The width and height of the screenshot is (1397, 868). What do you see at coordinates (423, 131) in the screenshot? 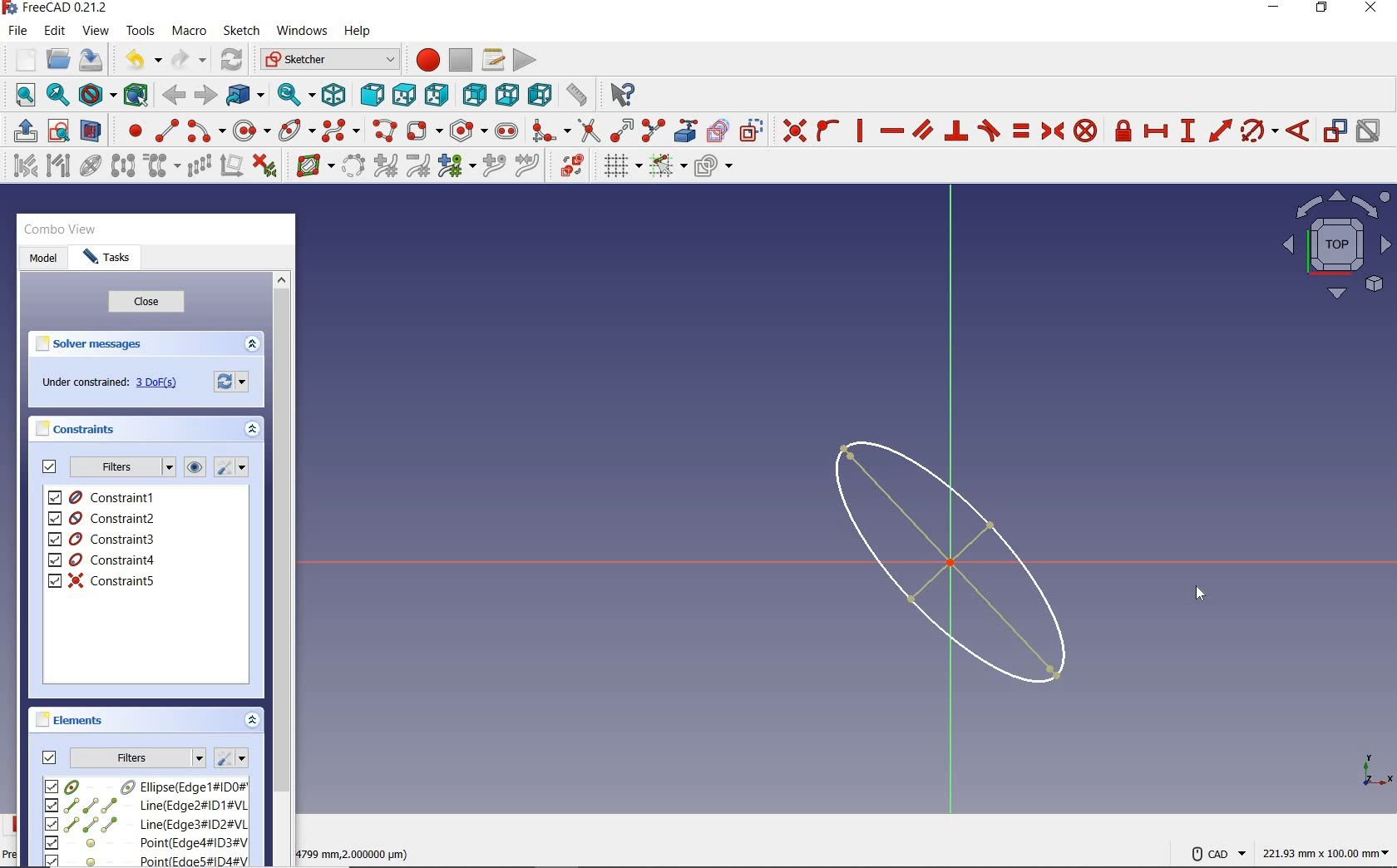
I see `create rectangle` at bounding box center [423, 131].